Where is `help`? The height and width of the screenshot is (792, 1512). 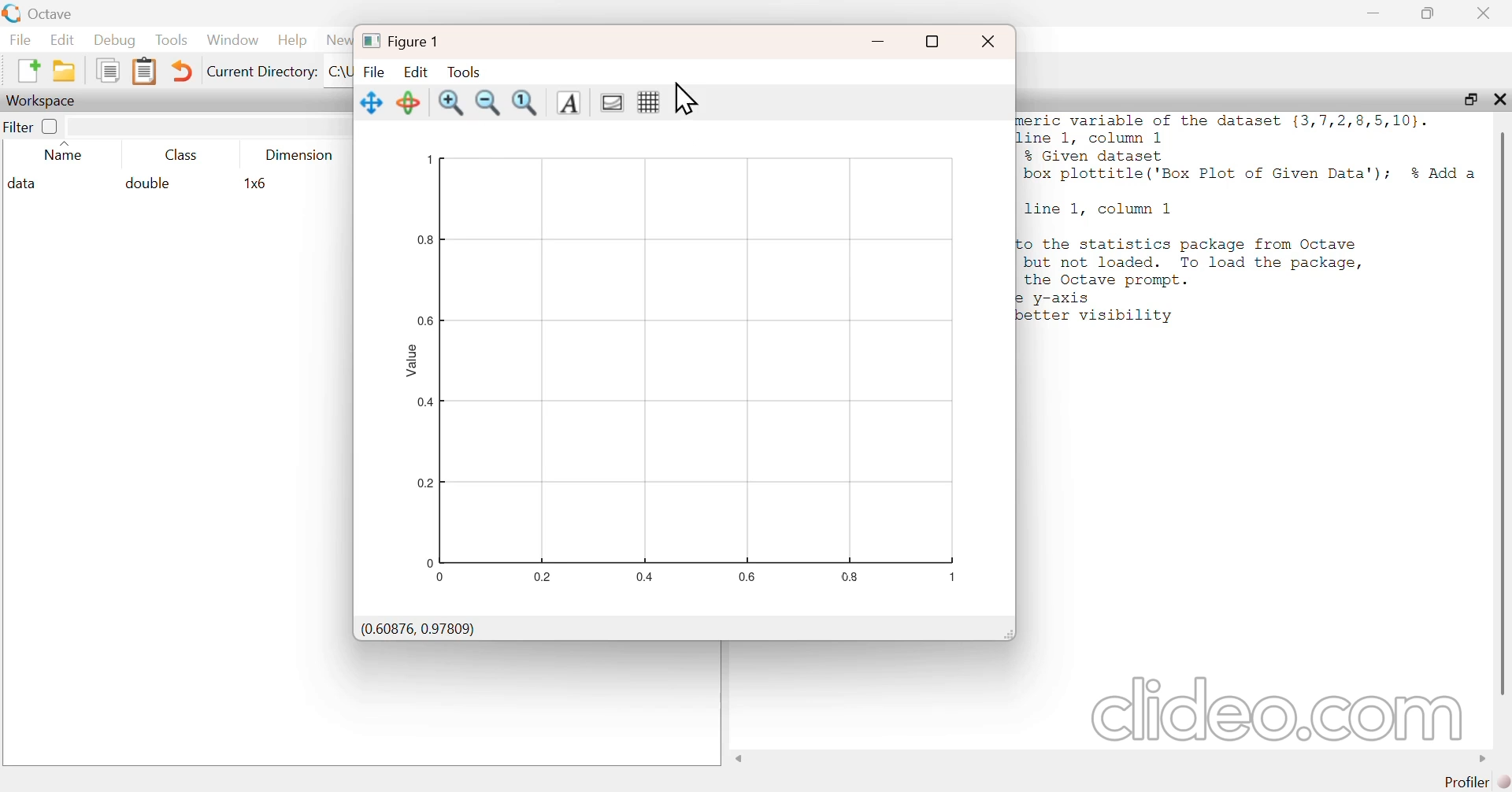 help is located at coordinates (295, 40).